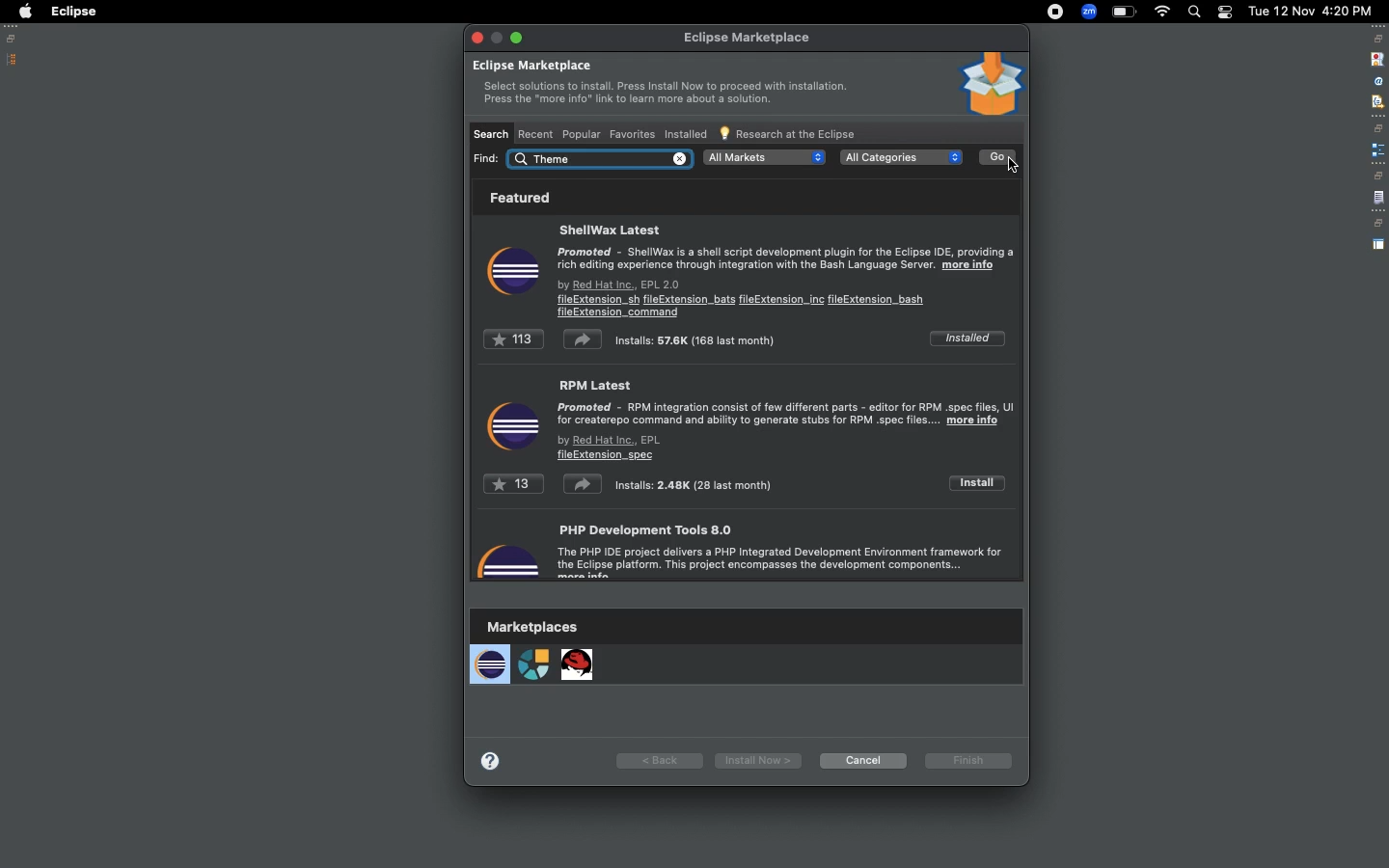 The width and height of the screenshot is (1389, 868). I want to click on all categories, so click(901, 157).